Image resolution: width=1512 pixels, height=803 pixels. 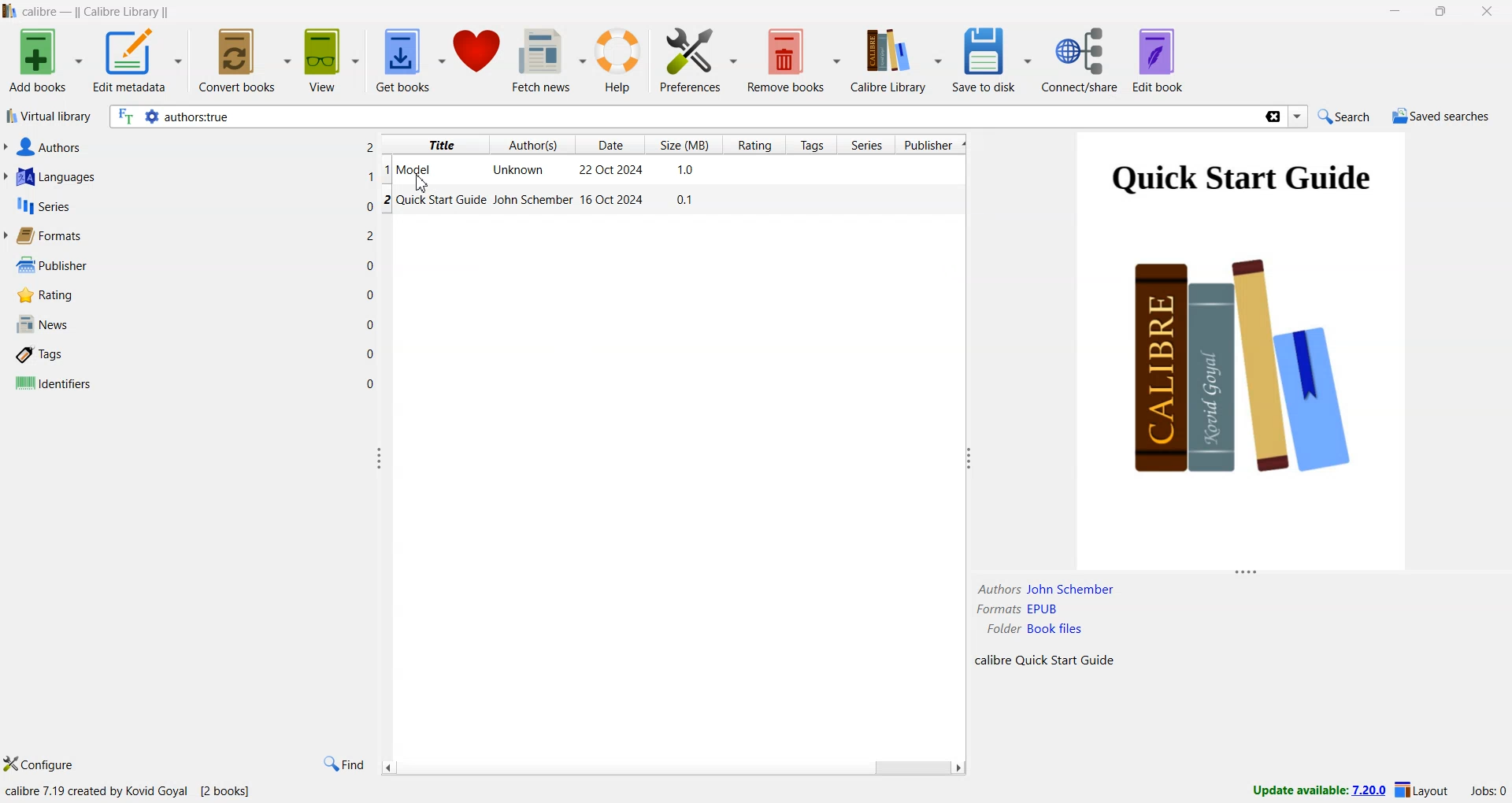 I want to click on file location, so click(x=1037, y=631).